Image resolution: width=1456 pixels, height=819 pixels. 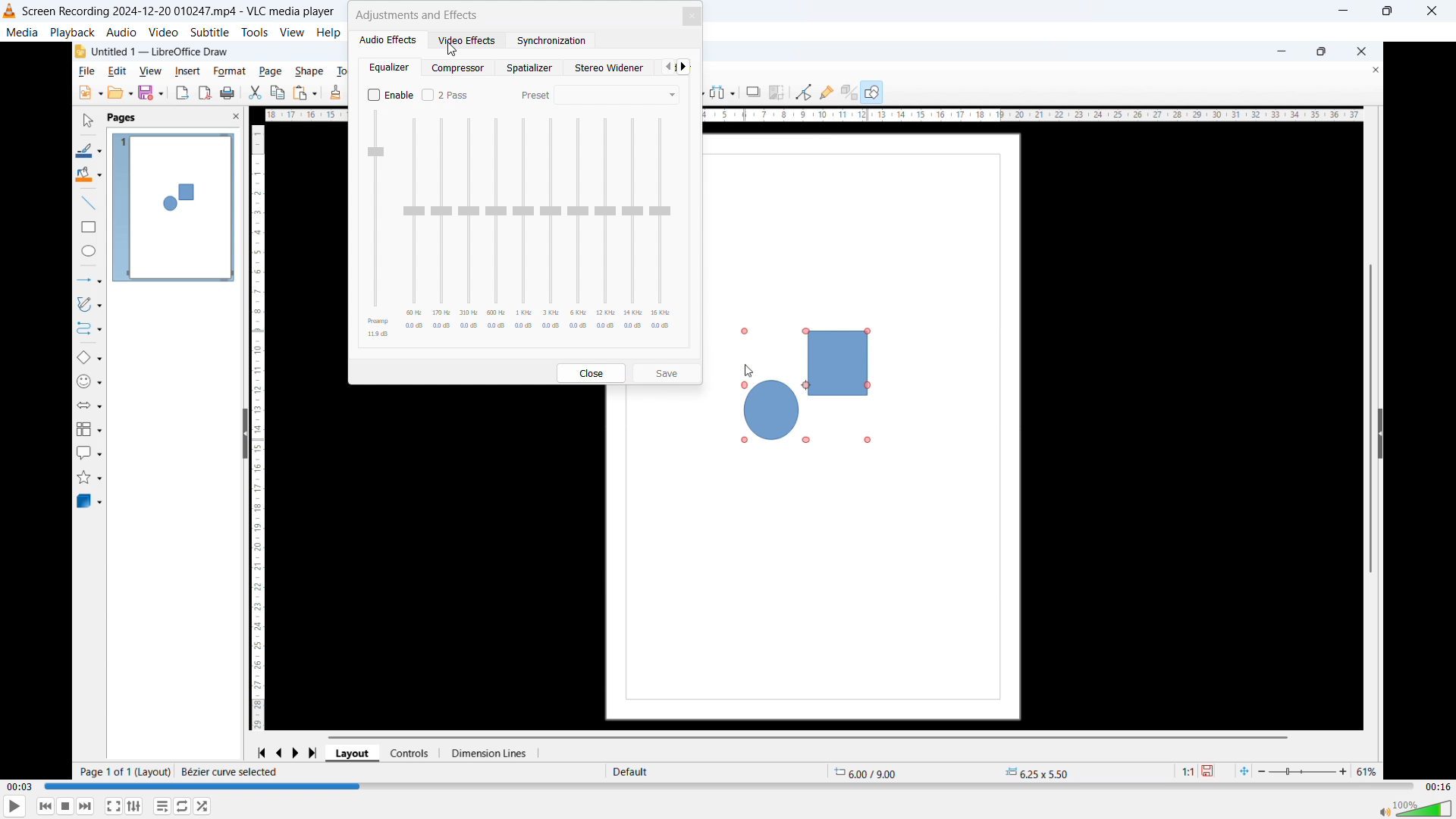 I want to click on Three kilohertz controller , so click(x=551, y=226).